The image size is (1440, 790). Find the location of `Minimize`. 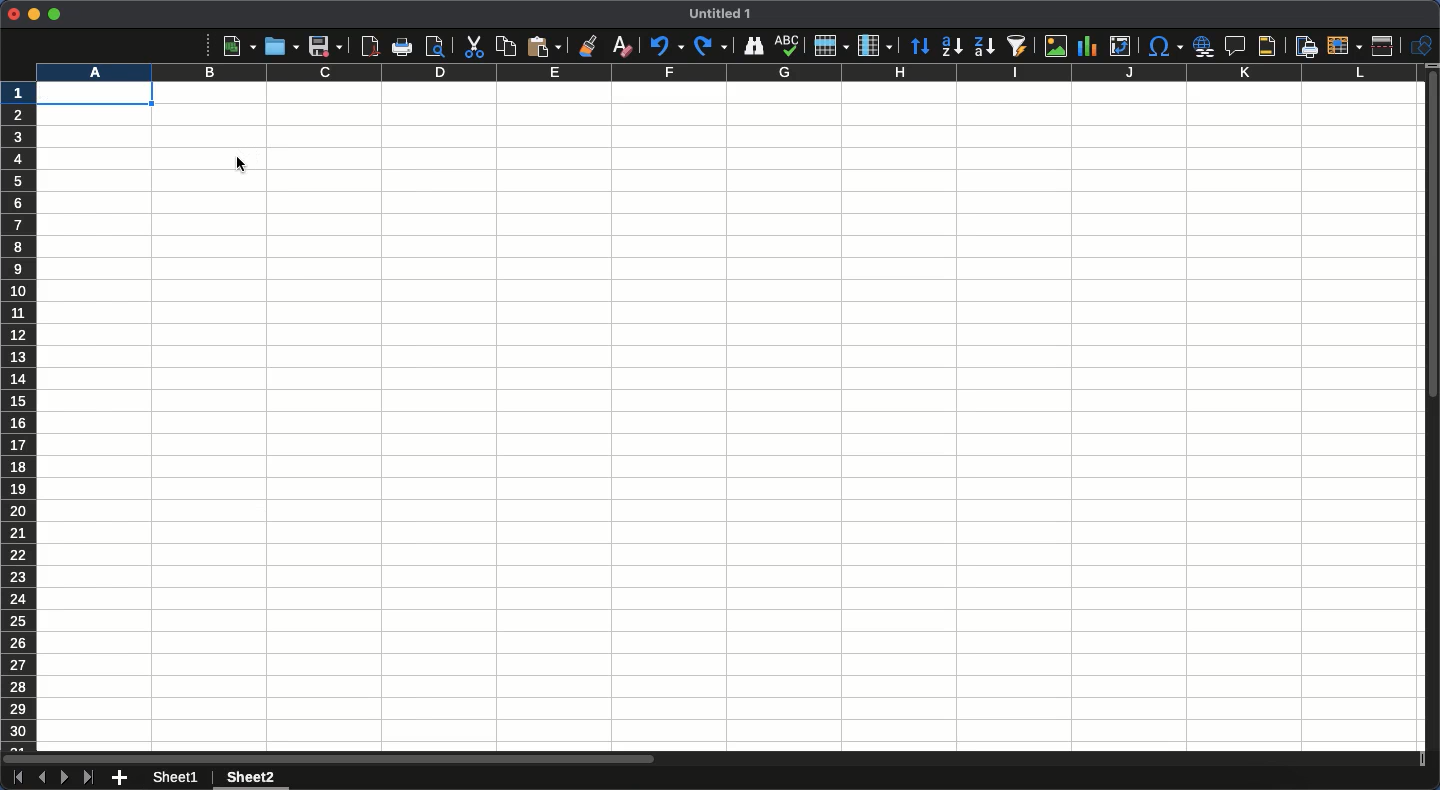

Minimize is located at coordinates (34, 15).